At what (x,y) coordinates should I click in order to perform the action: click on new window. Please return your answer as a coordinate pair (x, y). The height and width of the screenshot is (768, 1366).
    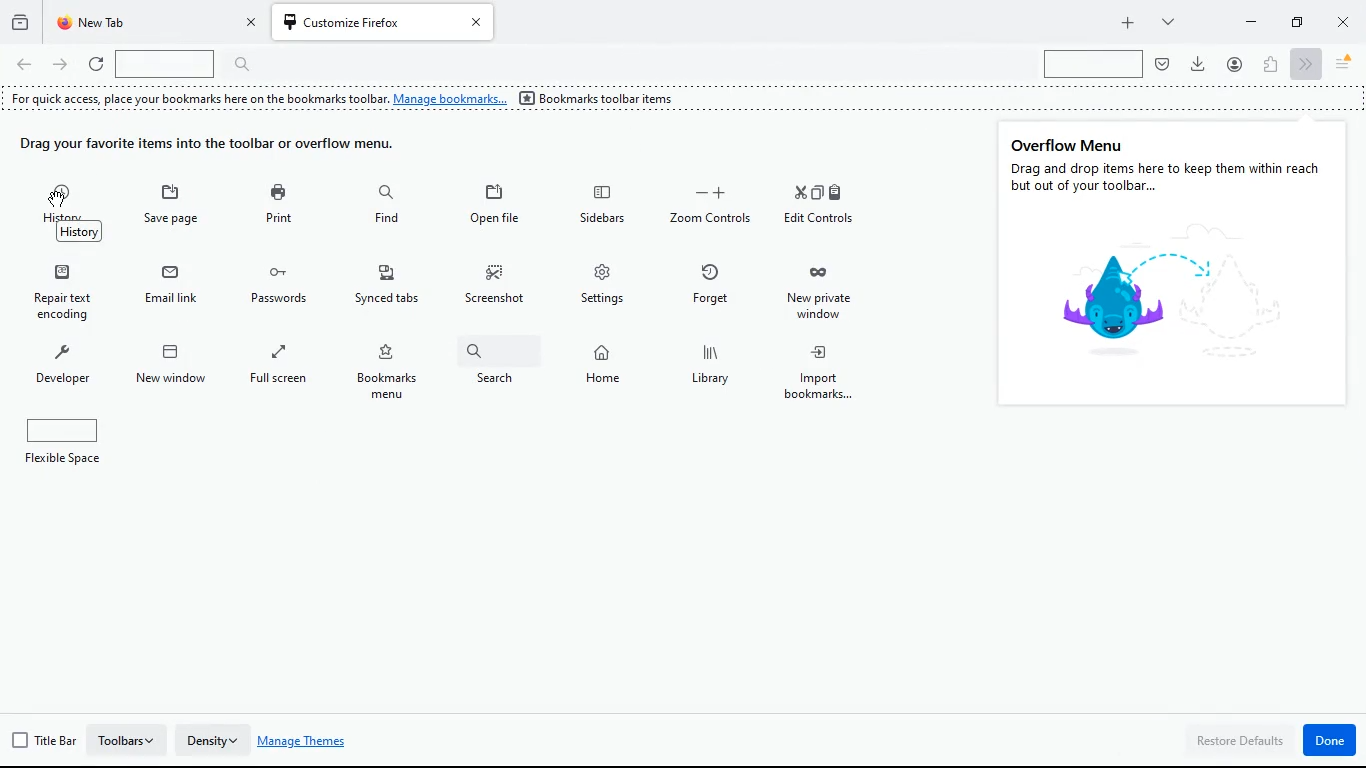
    Looking at the image, I should click on (174, 371).